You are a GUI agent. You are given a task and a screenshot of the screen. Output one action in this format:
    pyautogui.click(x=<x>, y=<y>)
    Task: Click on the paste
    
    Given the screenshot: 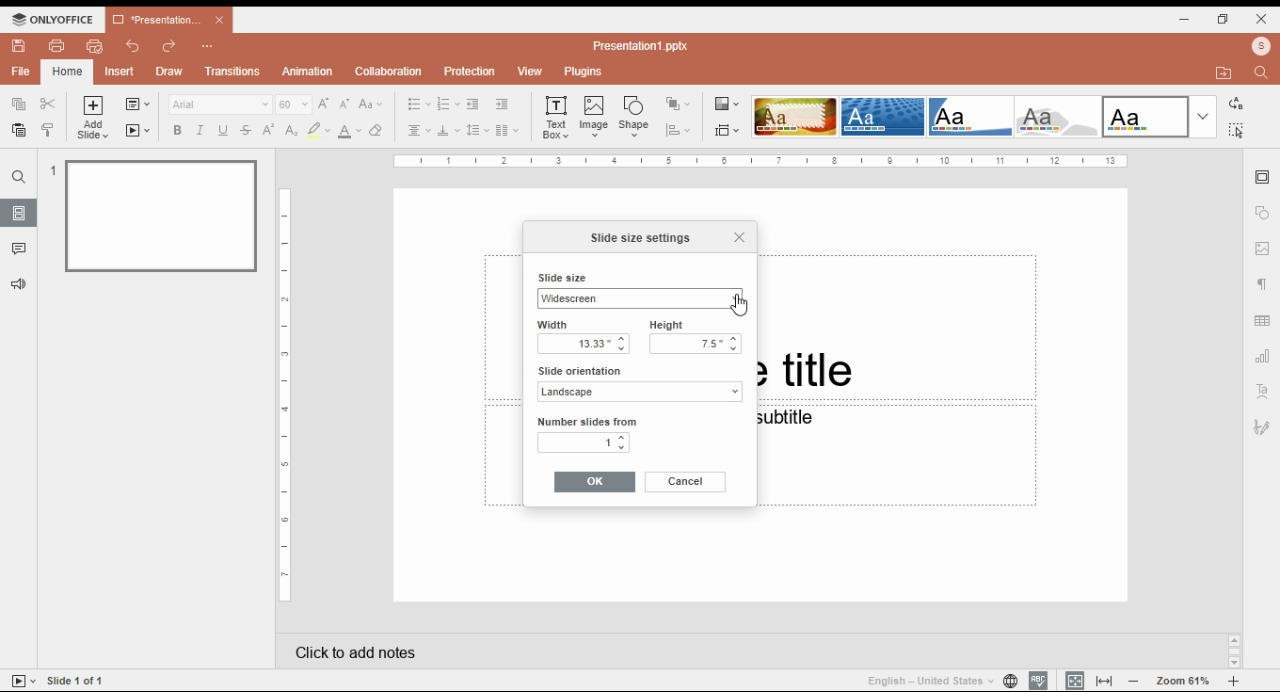 What is the action you would take?
    pyautogui.click(x=17, y=130)
    